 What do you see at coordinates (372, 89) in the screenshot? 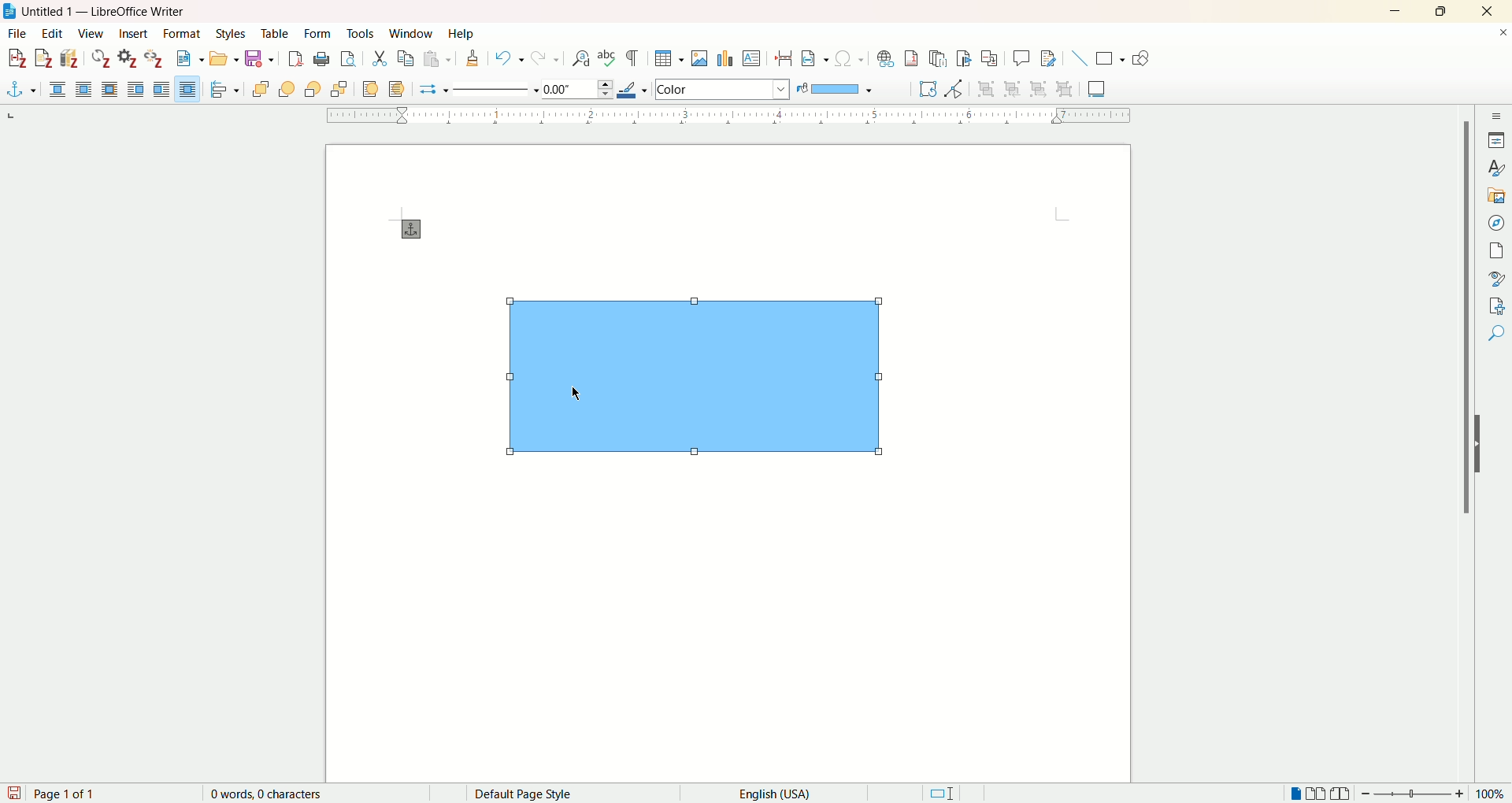
I see `to foregorund` at bounding box center [372, 89].